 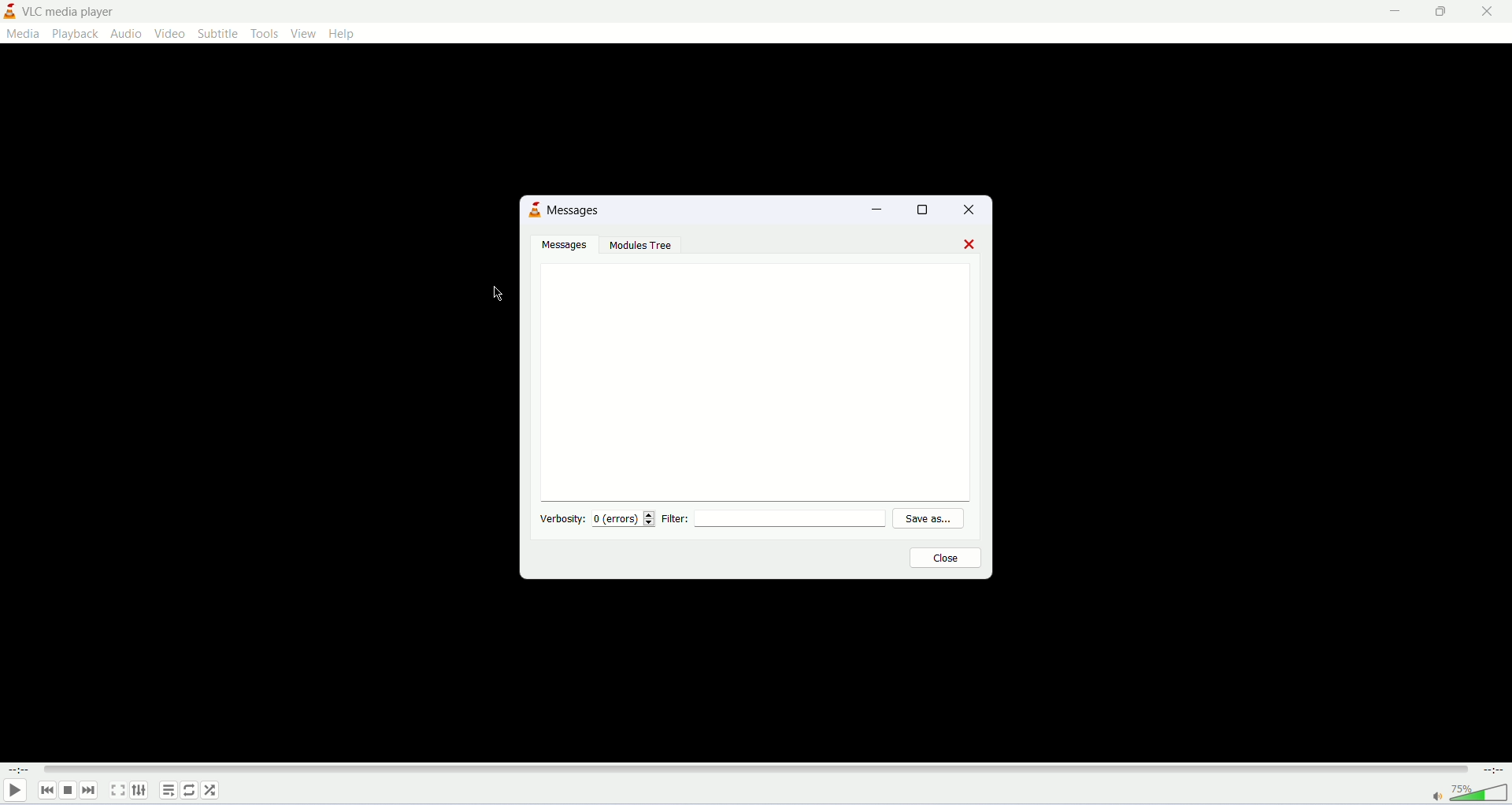 What do you see at coordinates (127, 35) in the screenshot?
I see `audio` at bounding box center [127, 35].